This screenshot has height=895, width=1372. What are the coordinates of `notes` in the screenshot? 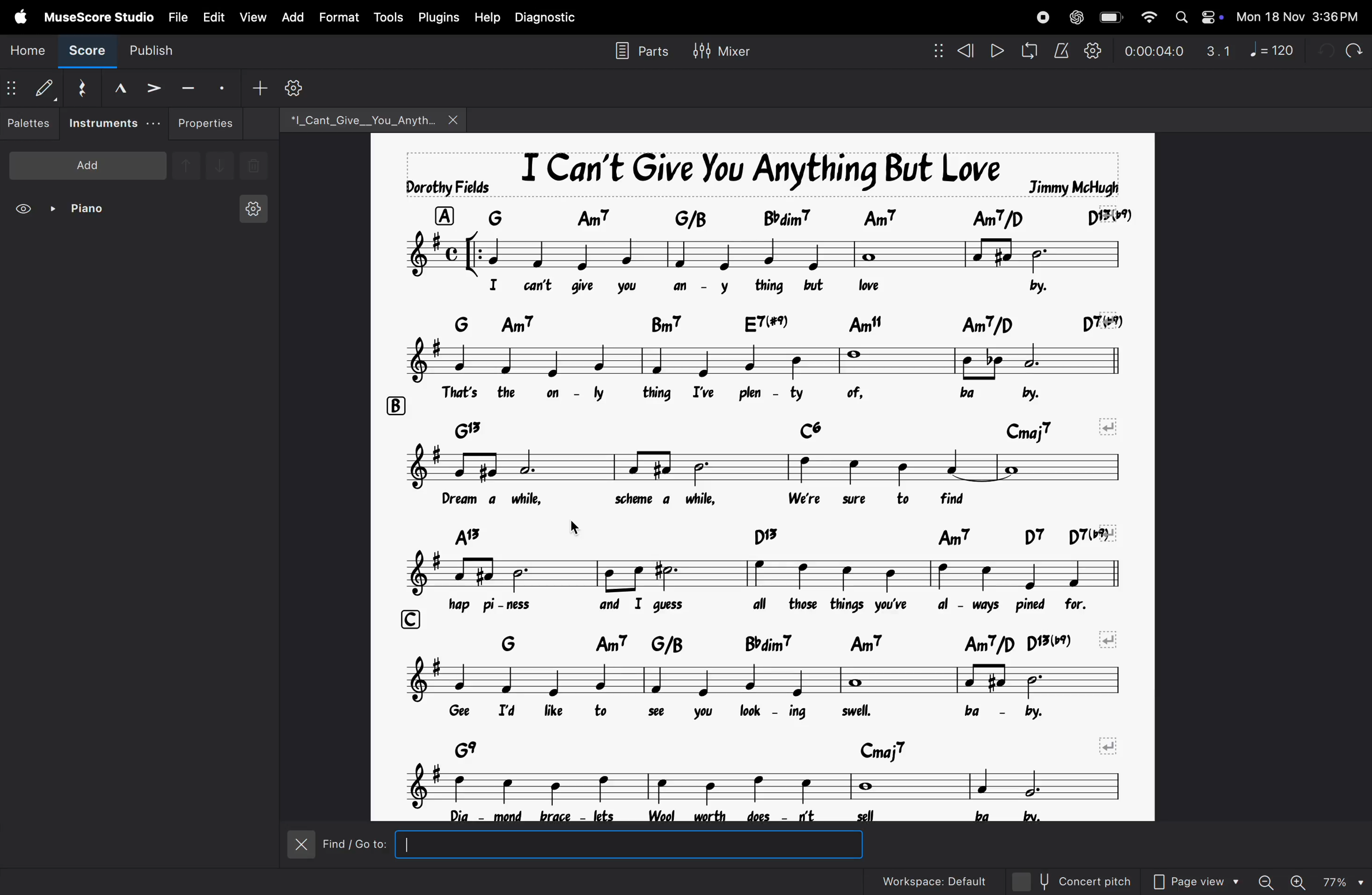 It's located at (768, 785).